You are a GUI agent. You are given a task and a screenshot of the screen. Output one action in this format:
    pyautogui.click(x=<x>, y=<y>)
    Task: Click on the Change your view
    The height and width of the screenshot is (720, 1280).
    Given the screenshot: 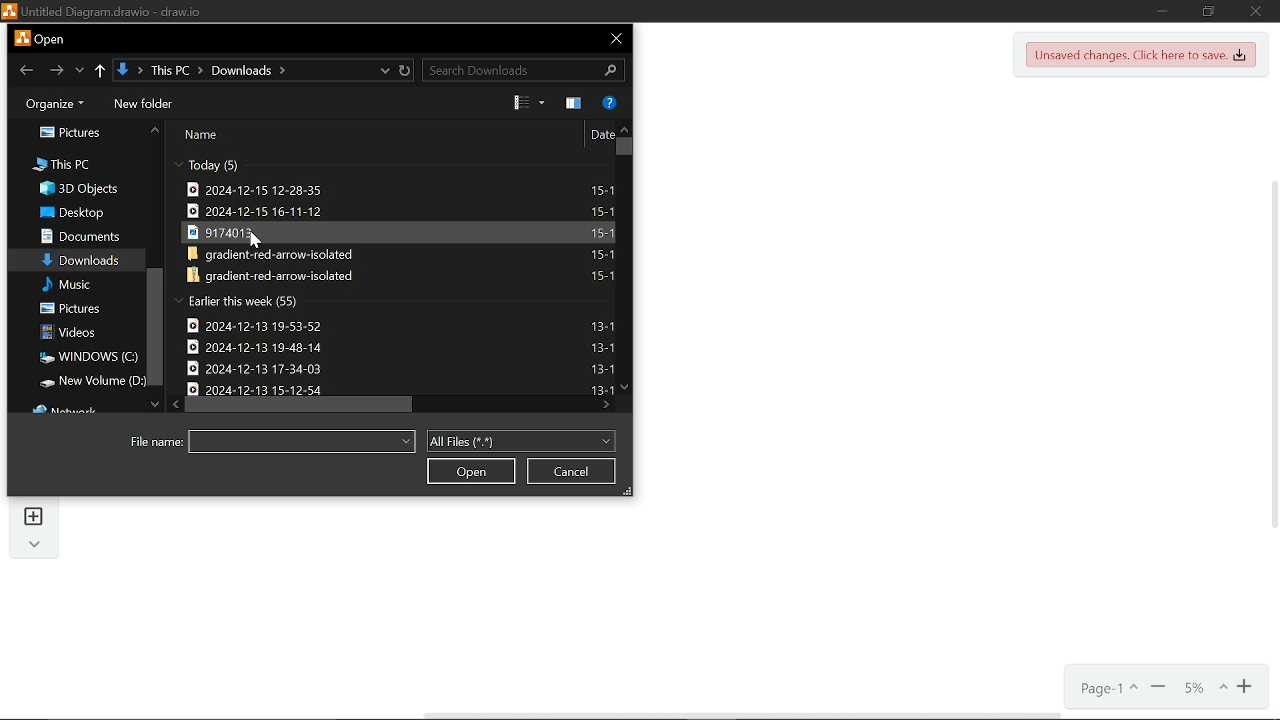 What is the action you would take?
    pyautogui.click(x=526, y=105)
    